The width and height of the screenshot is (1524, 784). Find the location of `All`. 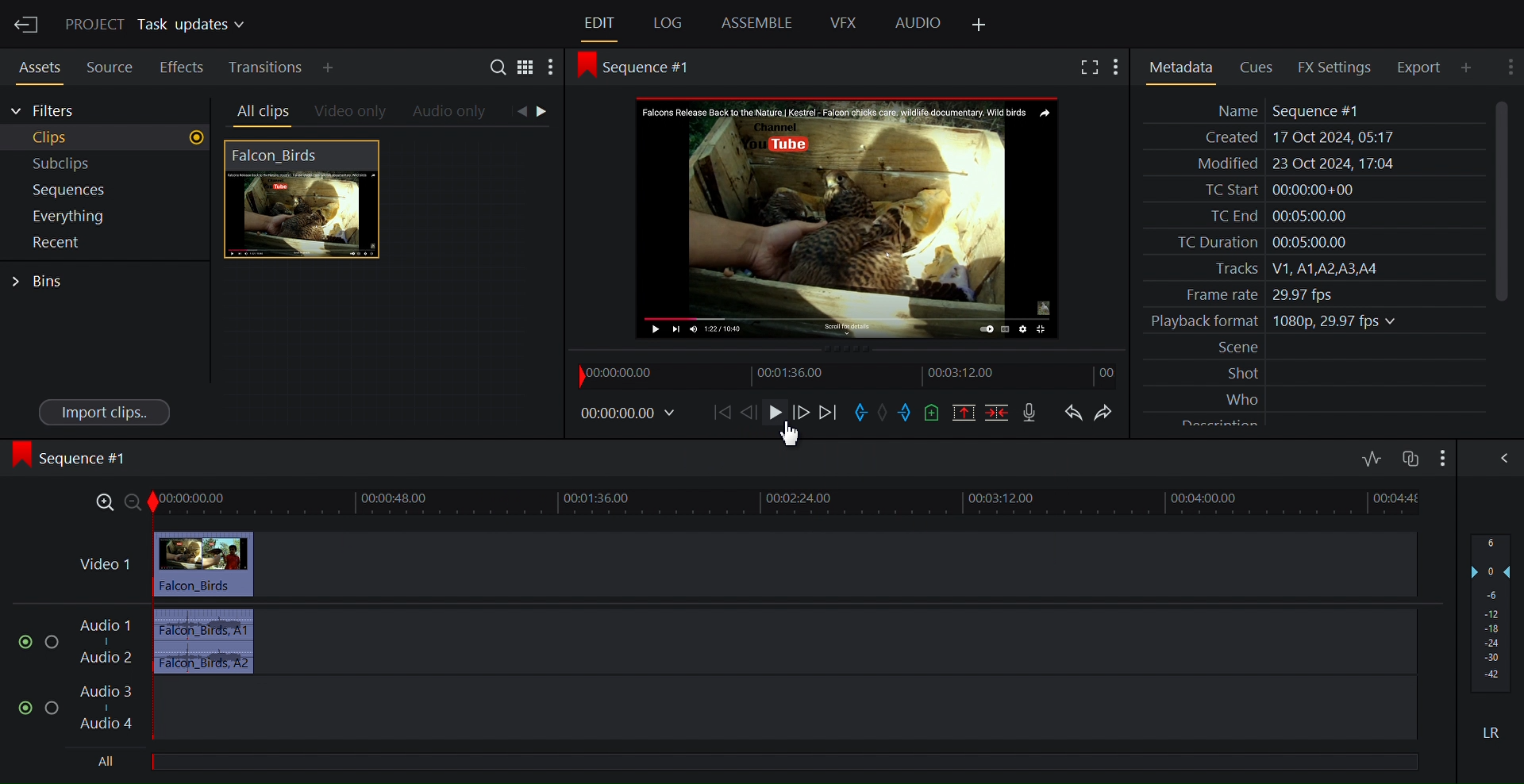

All is located at coordinates (108, 762).